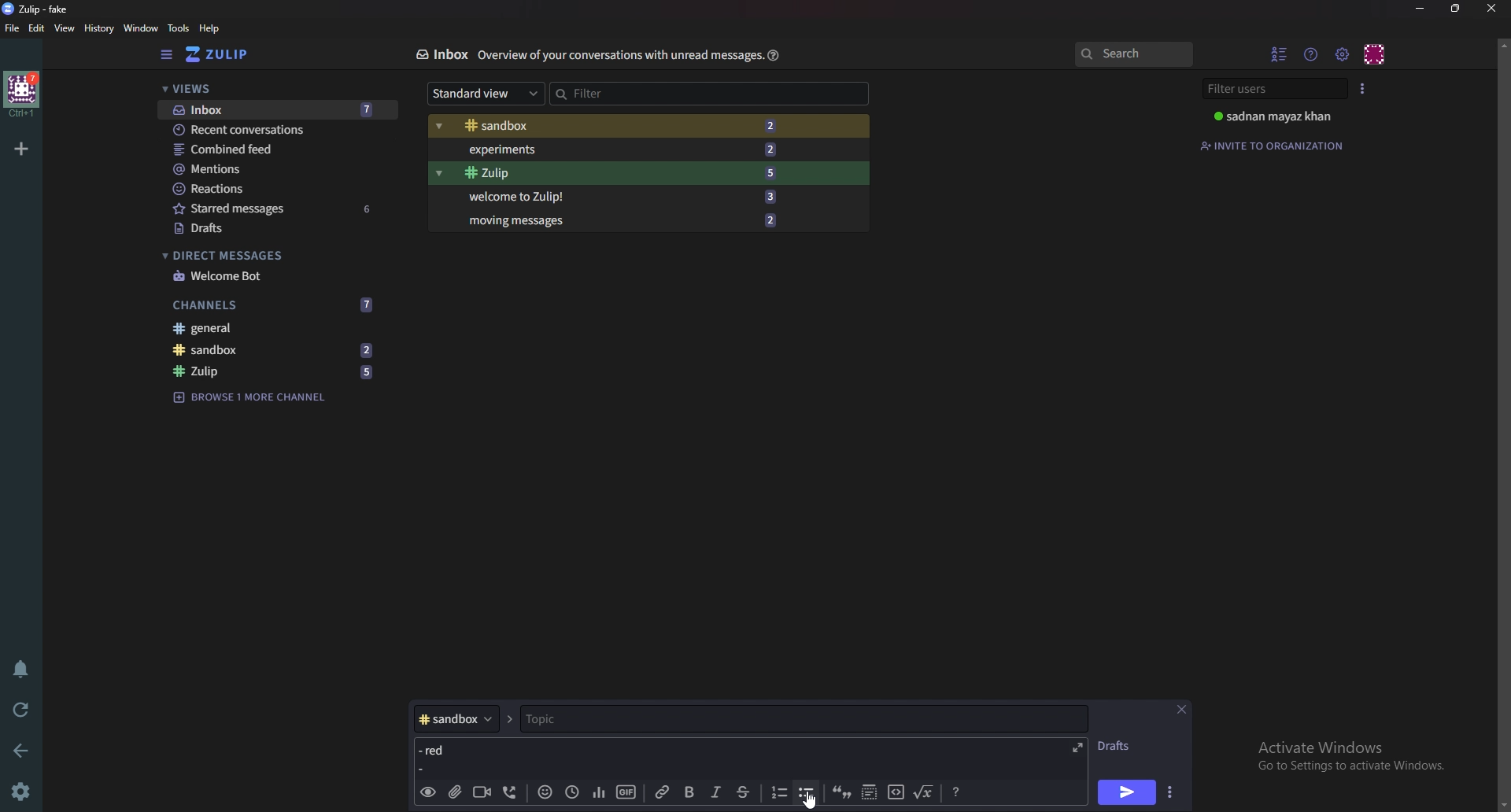  Describe the element at coordinates (20, 148) in the screenshot. I see `Add organization` at that location.